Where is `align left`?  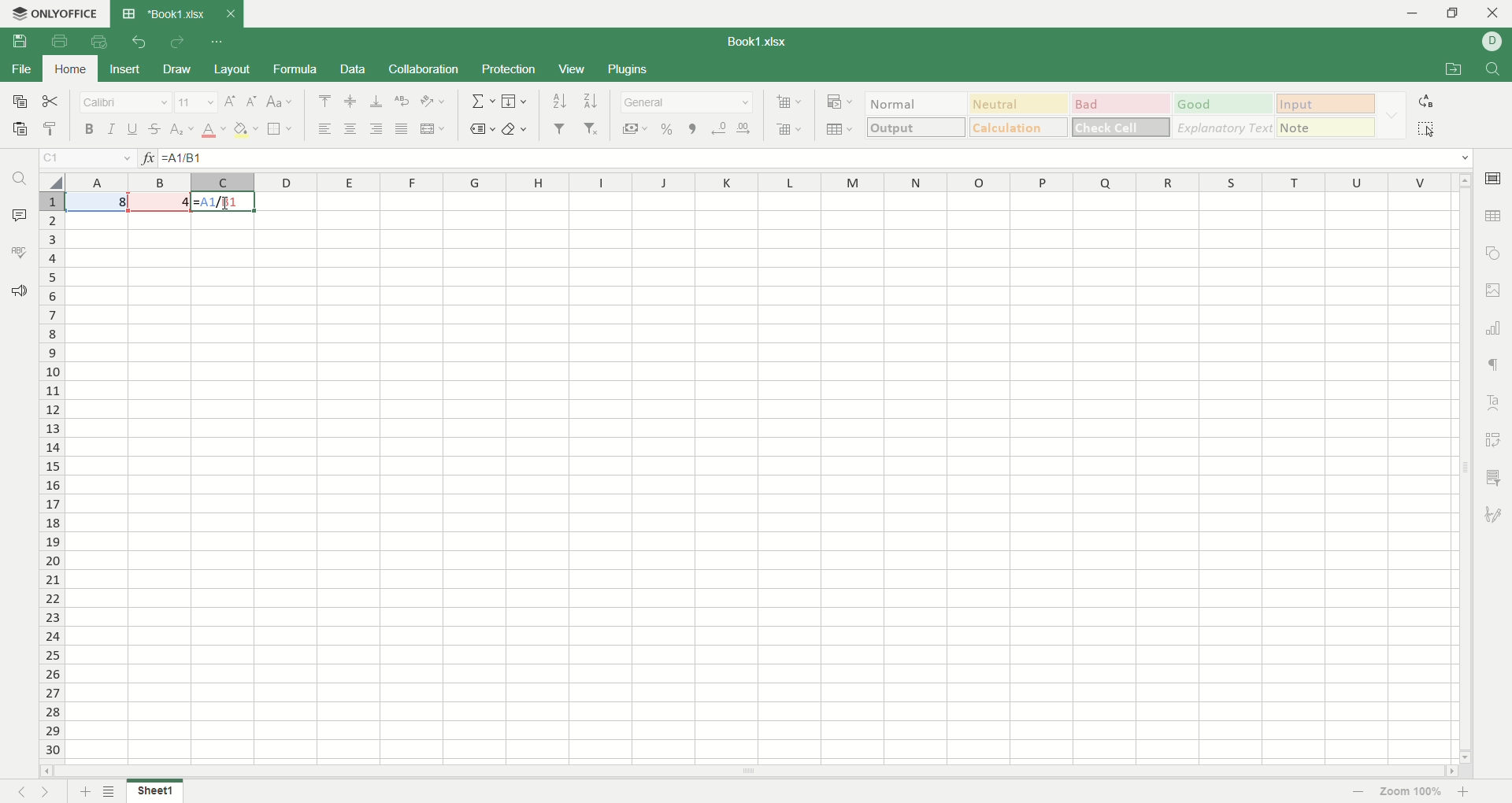 align left is located at coordinates (326, 128).